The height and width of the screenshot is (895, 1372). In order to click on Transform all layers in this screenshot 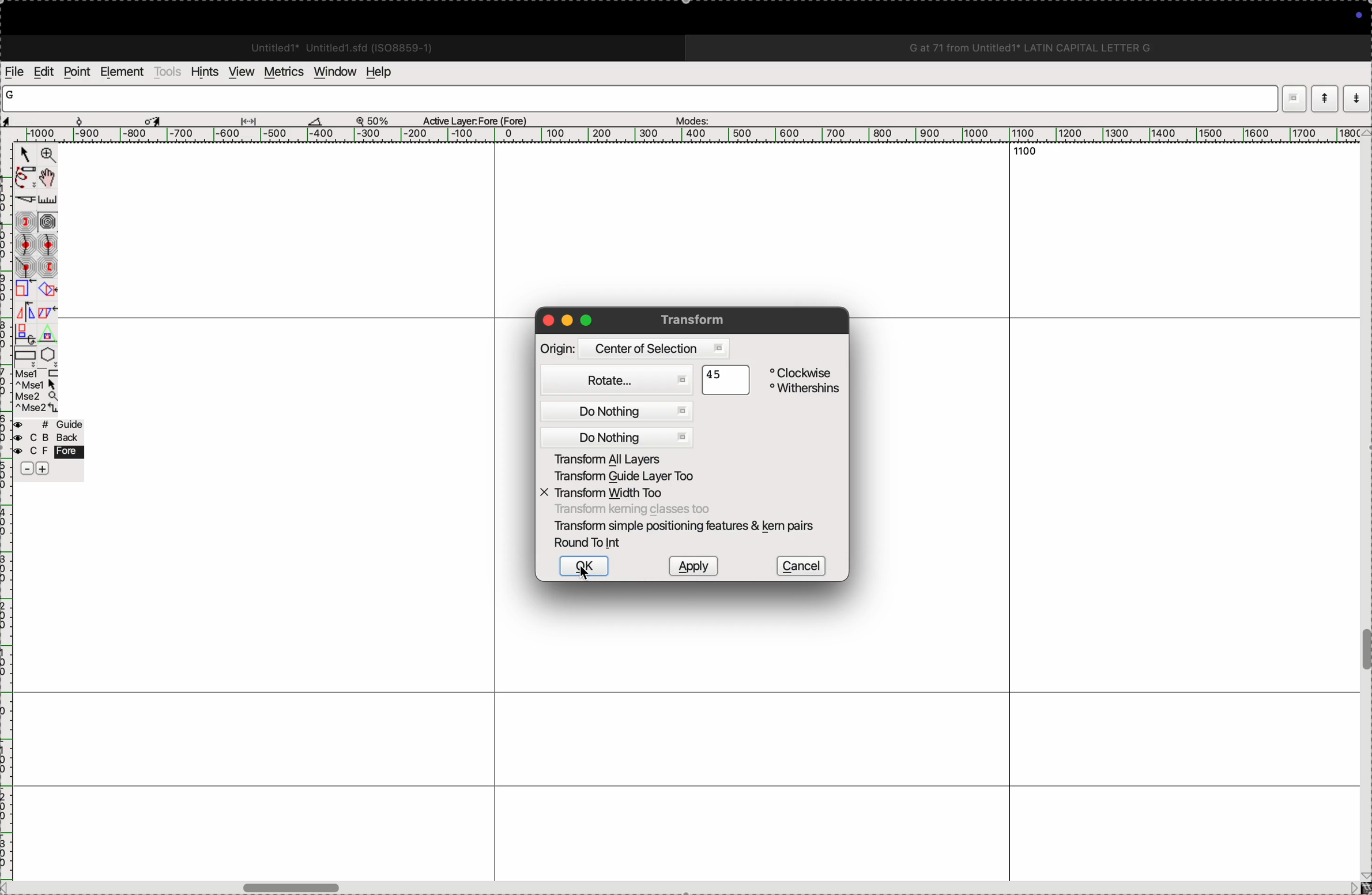, I will do `click(620, 459)`.